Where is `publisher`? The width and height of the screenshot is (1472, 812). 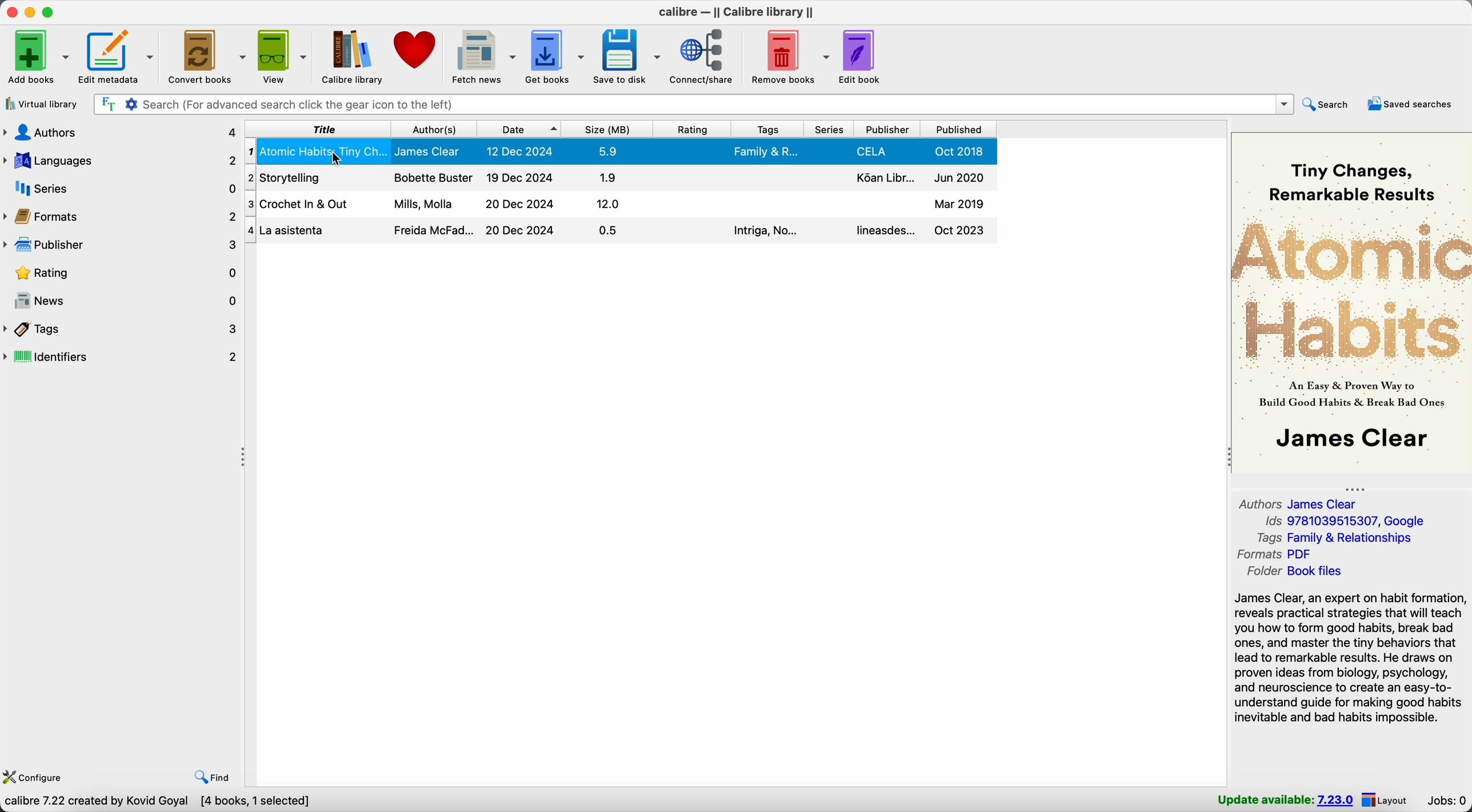 publisher is located at coordinates (890, 129).